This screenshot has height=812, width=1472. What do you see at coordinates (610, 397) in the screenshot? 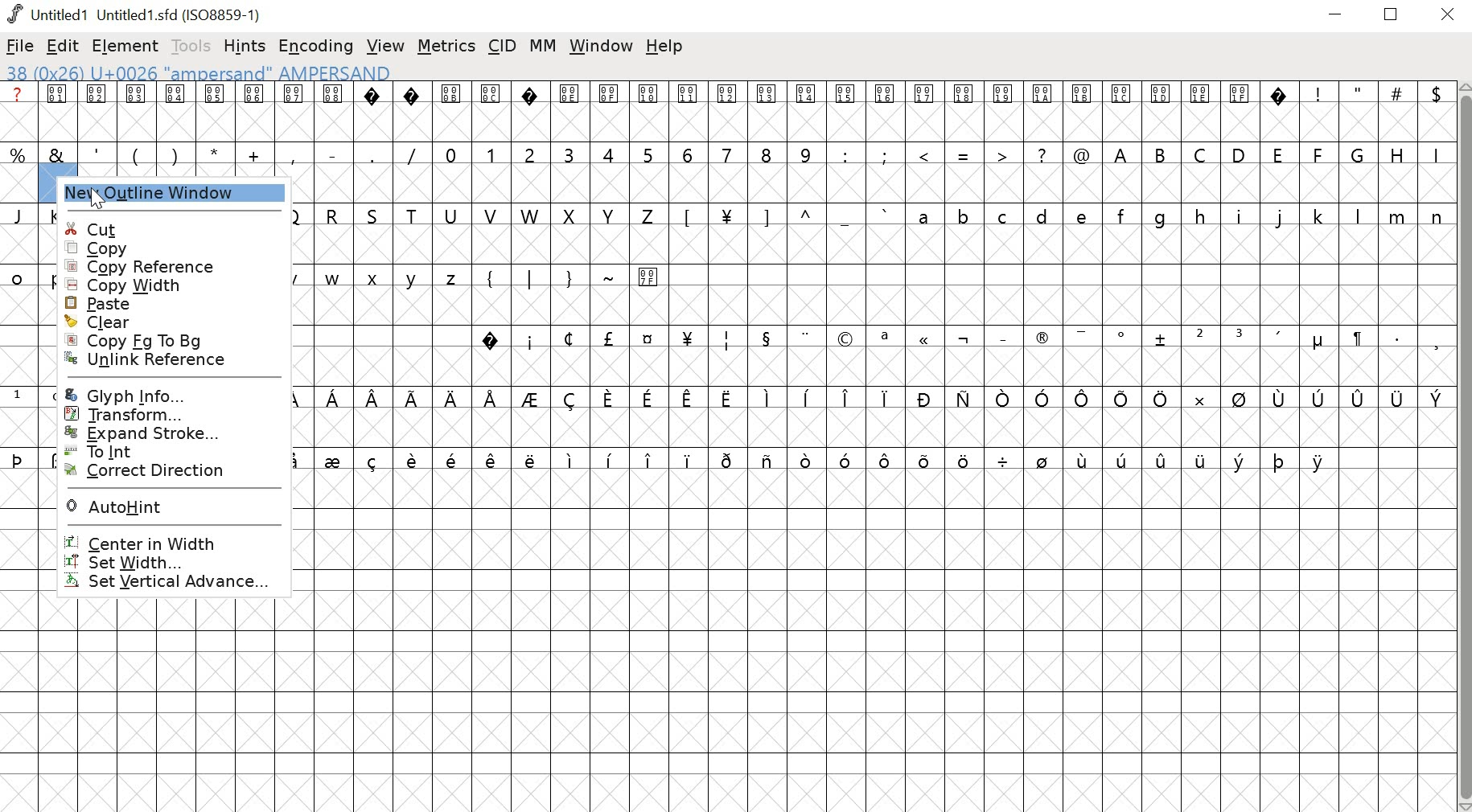
I see `symbol` at bounding box center [610, 397].